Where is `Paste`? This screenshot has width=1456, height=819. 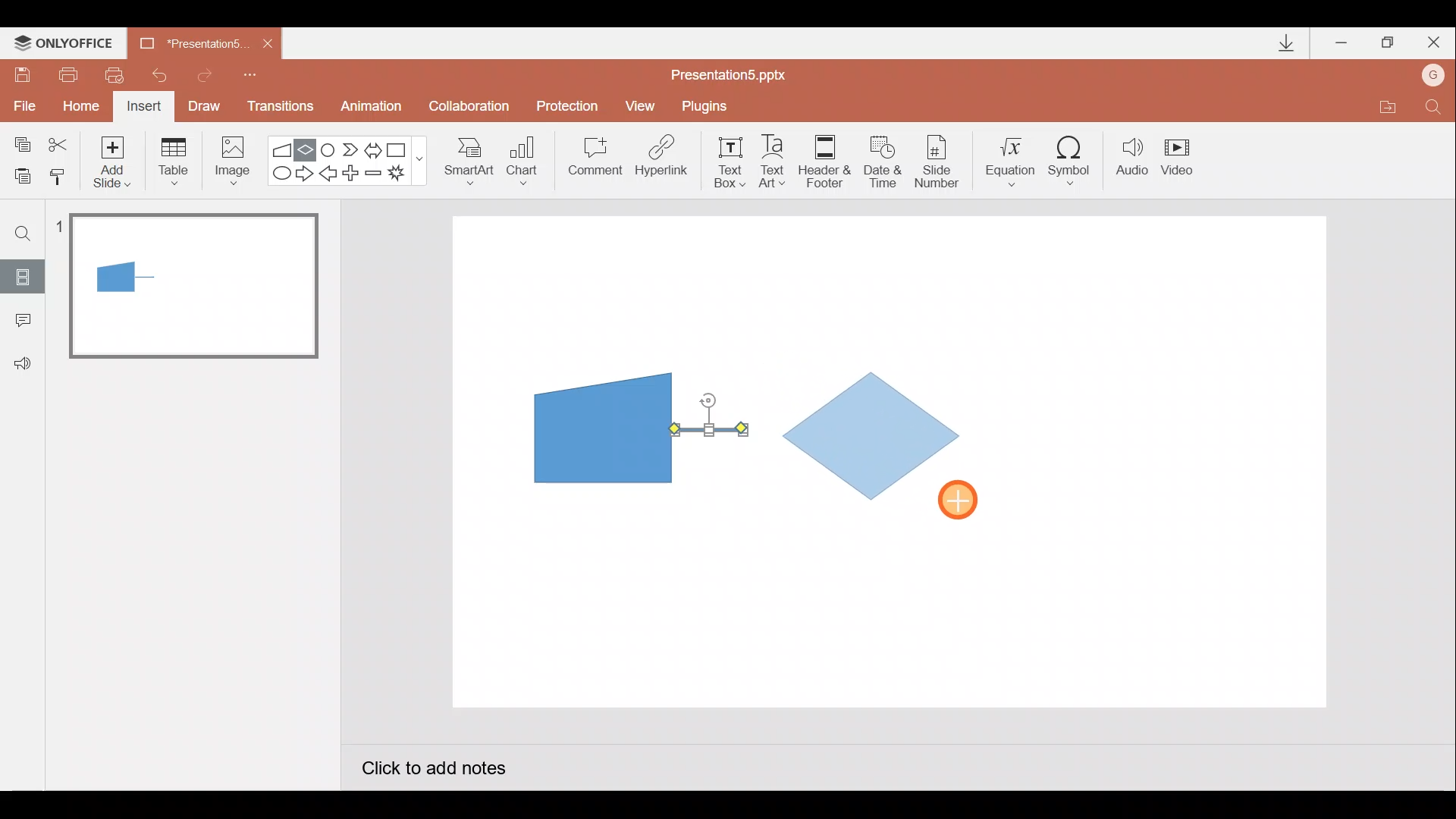
Paste is located at coordinates (18, 174).